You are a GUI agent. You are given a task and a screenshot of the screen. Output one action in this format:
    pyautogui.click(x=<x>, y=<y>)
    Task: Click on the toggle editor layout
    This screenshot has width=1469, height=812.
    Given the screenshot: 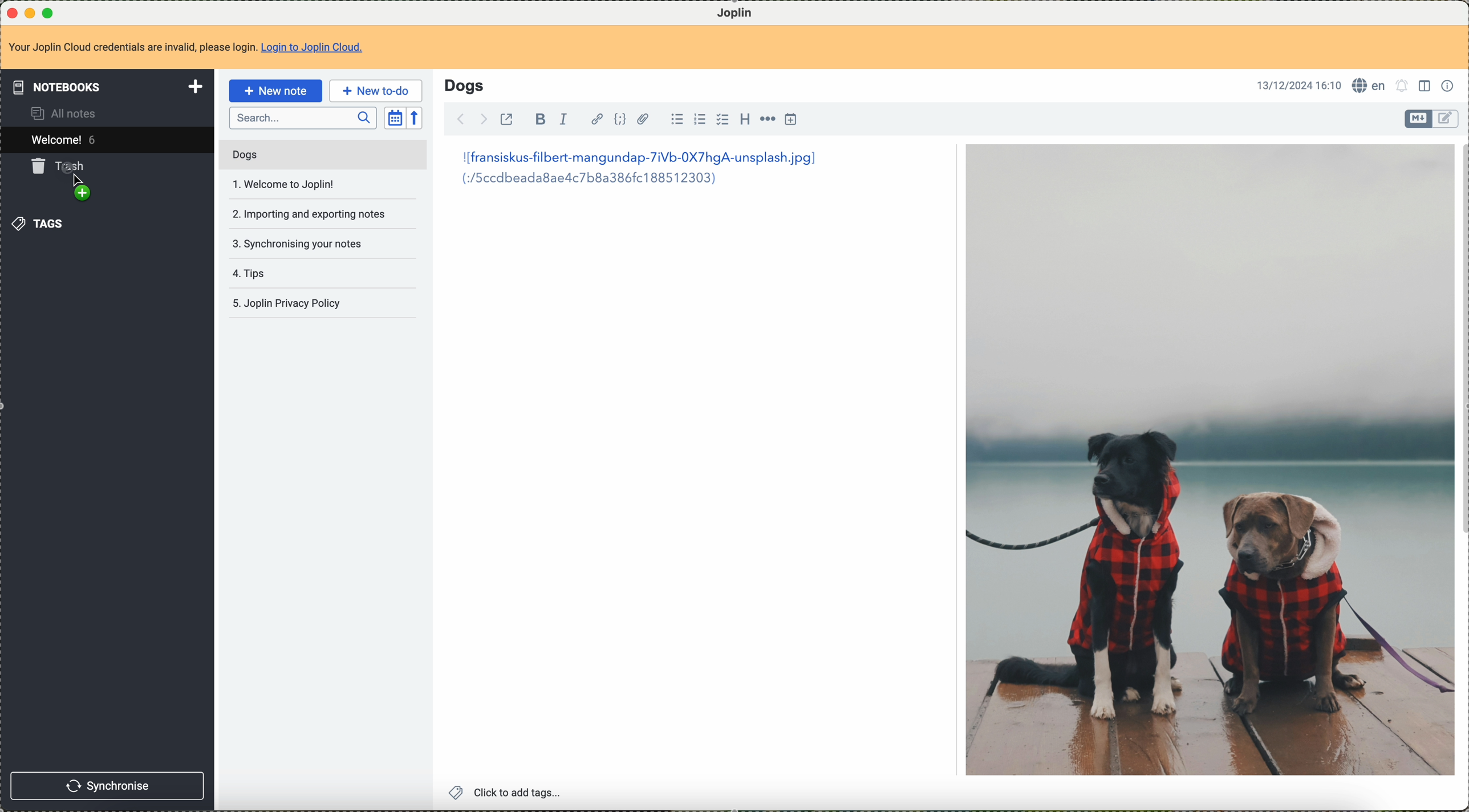 What is the action you would take?
    pyautogui.click(x=1427, y=86)
    